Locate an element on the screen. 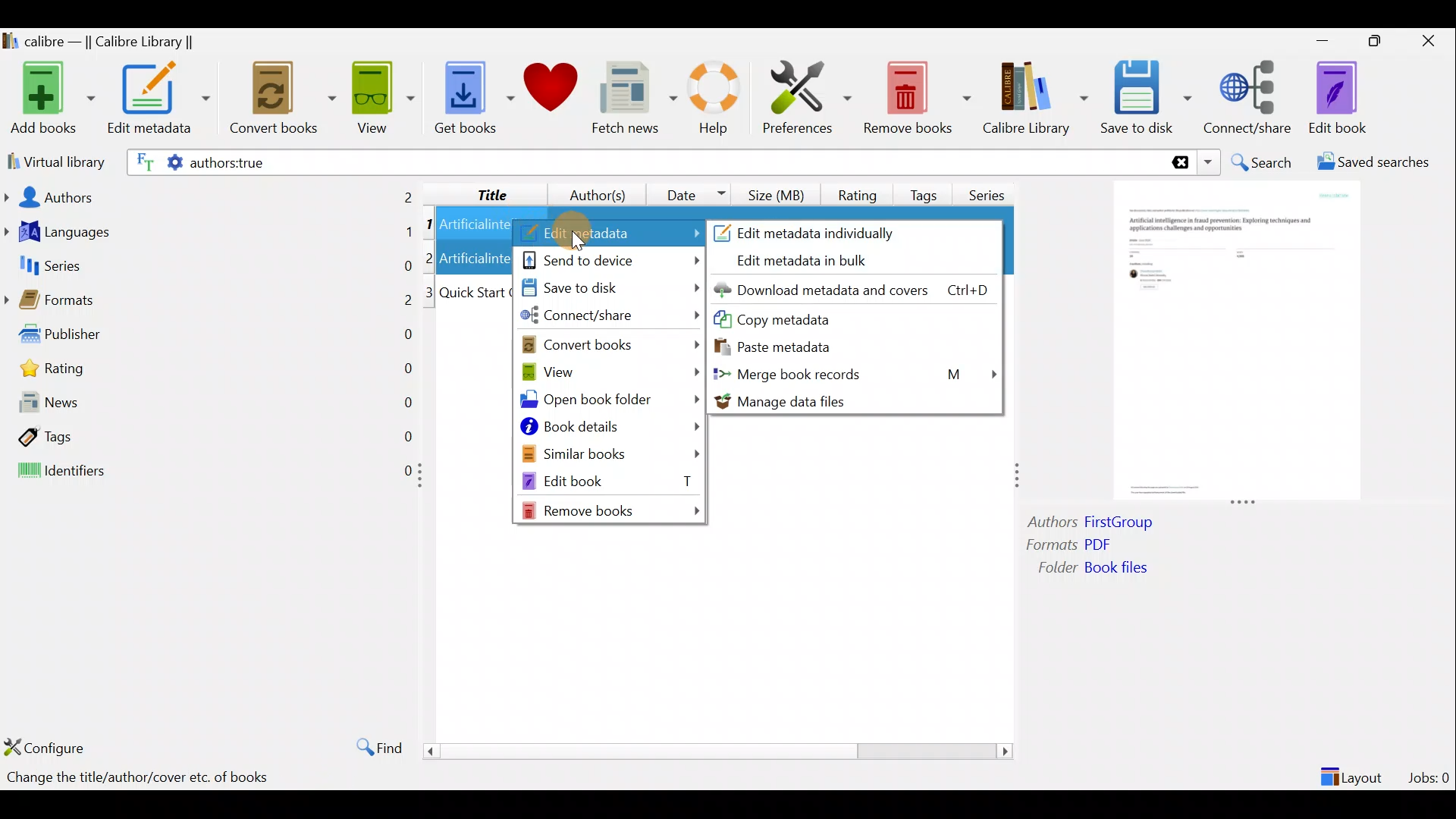 Image resolution: width=1456 pixels, height=819 pixels. Connect/share is located at coordinates (1250, 95).